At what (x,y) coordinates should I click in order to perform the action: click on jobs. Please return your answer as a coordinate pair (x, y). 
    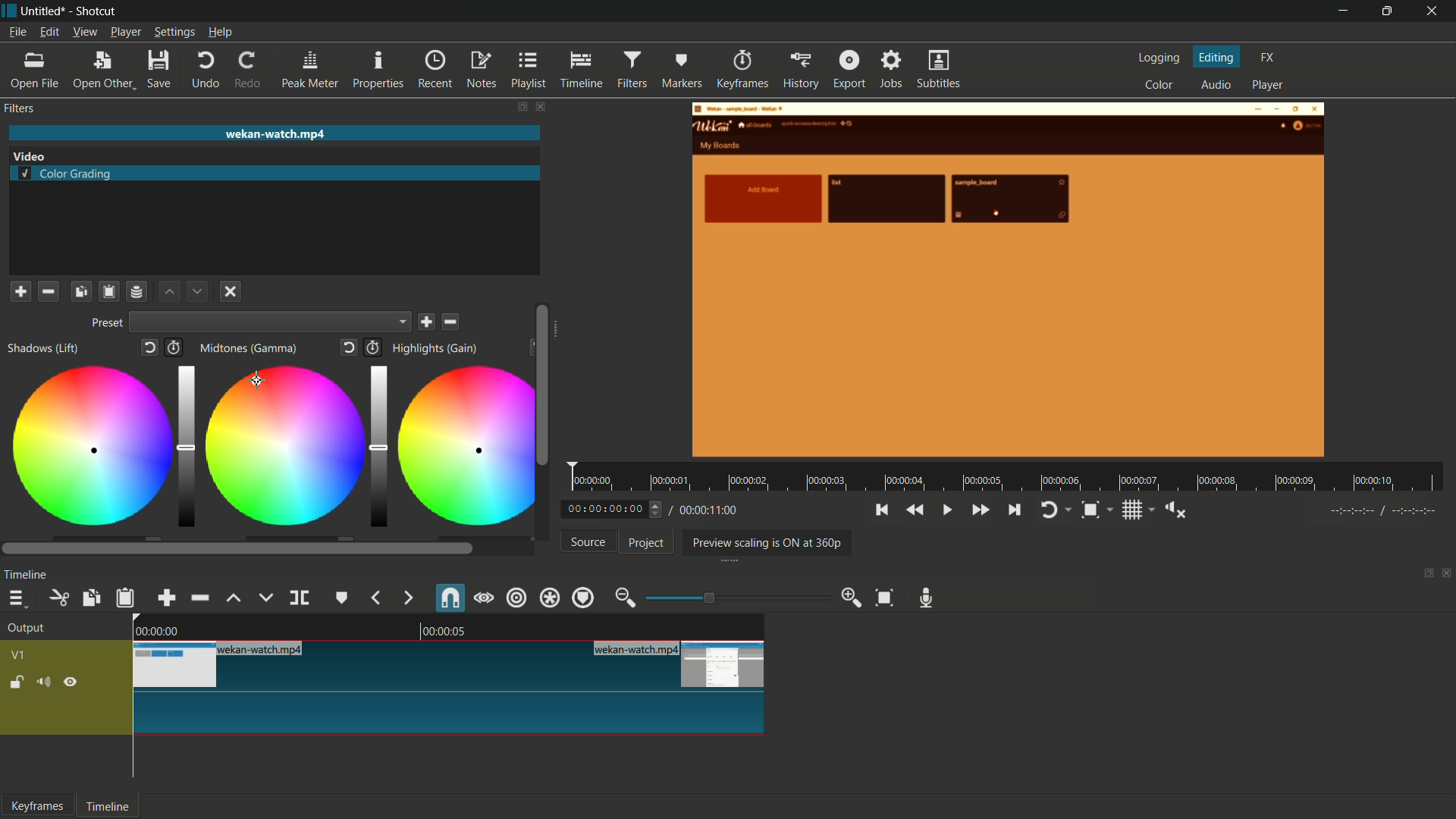
    Looking at the image, I should click on (893, 70).